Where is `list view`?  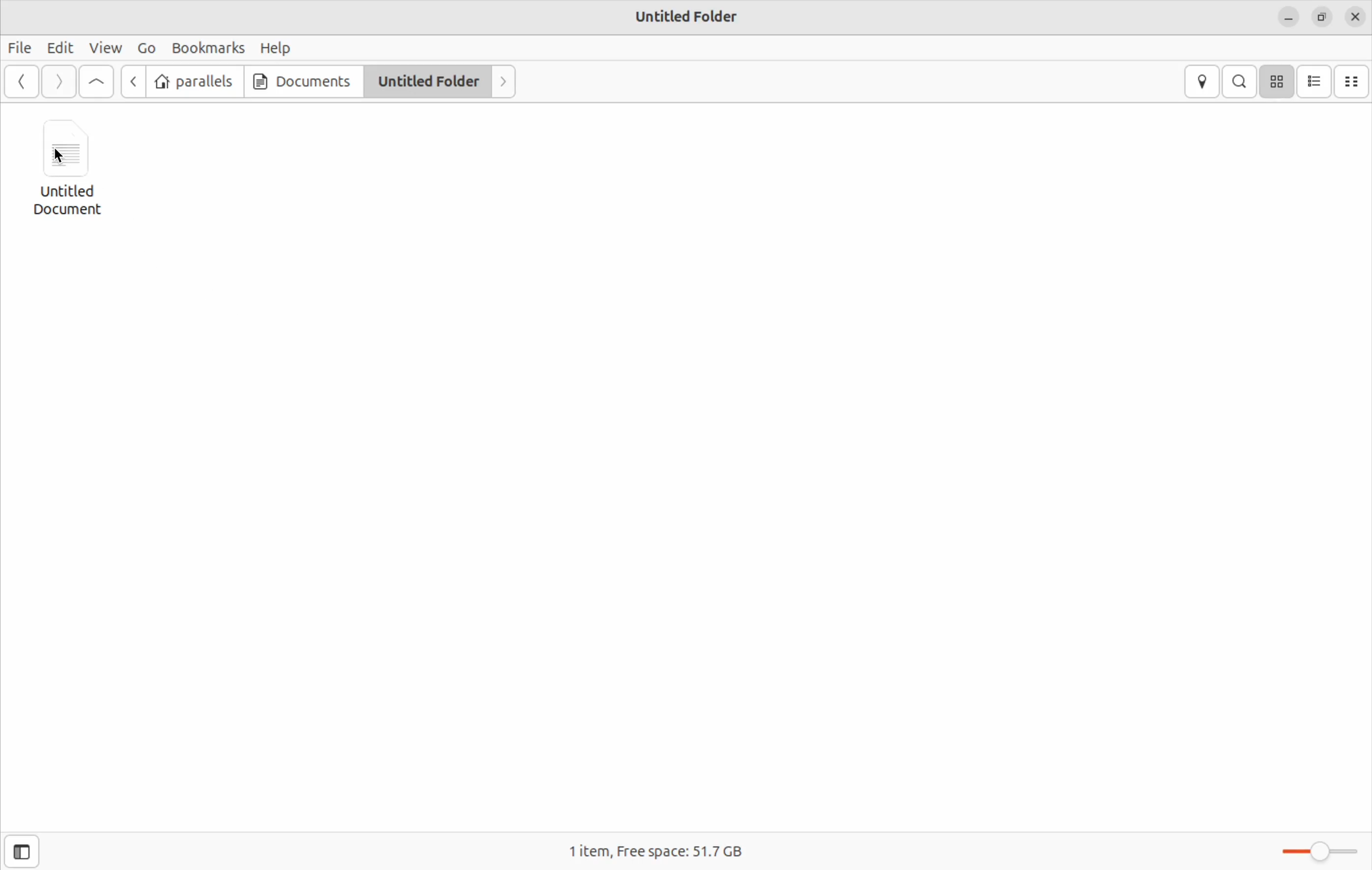
list view is located at coordinates (1316, 81).